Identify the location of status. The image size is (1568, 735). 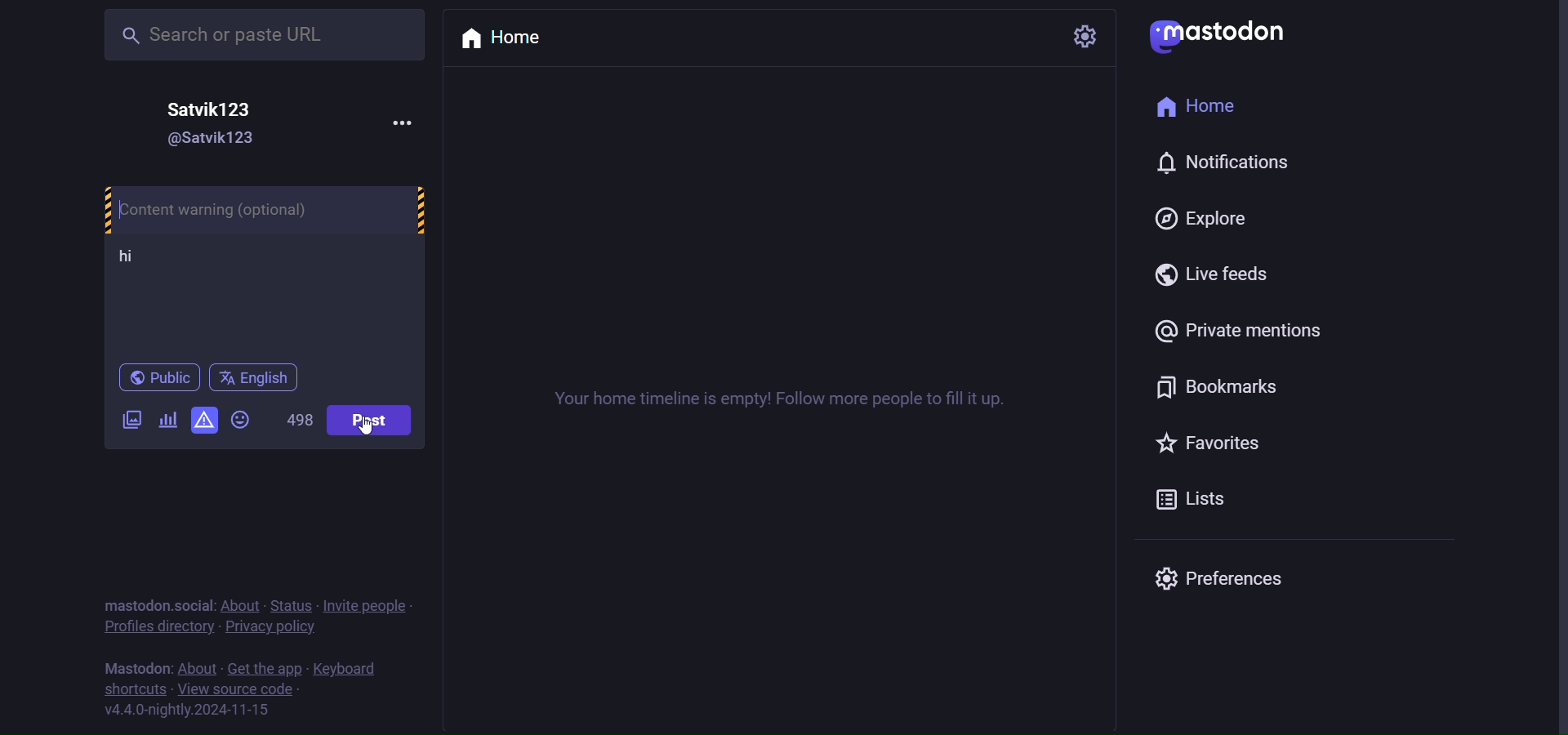
(296, 606).